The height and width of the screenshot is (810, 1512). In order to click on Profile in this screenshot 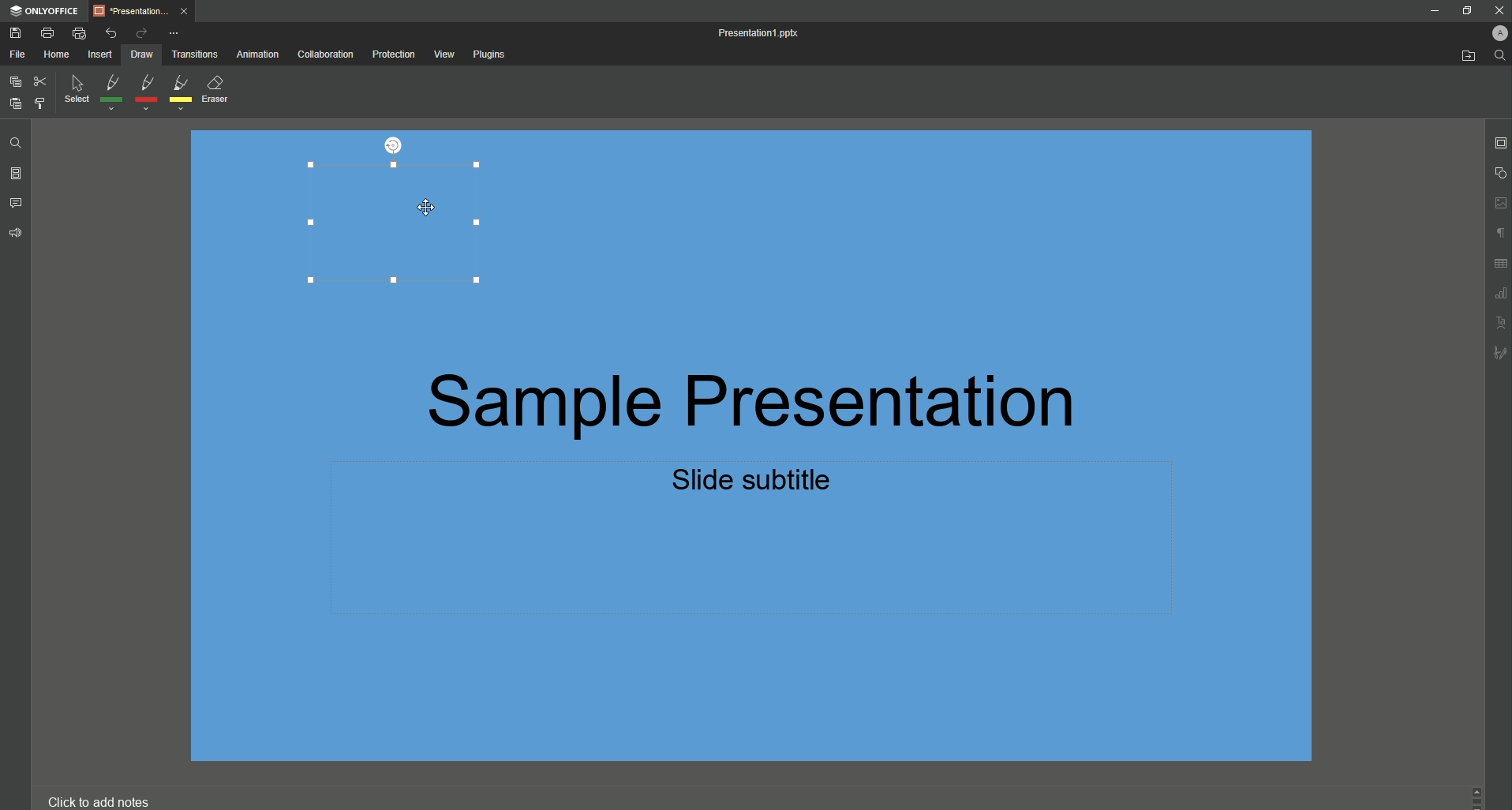, I will do `click(1499, 33)`.